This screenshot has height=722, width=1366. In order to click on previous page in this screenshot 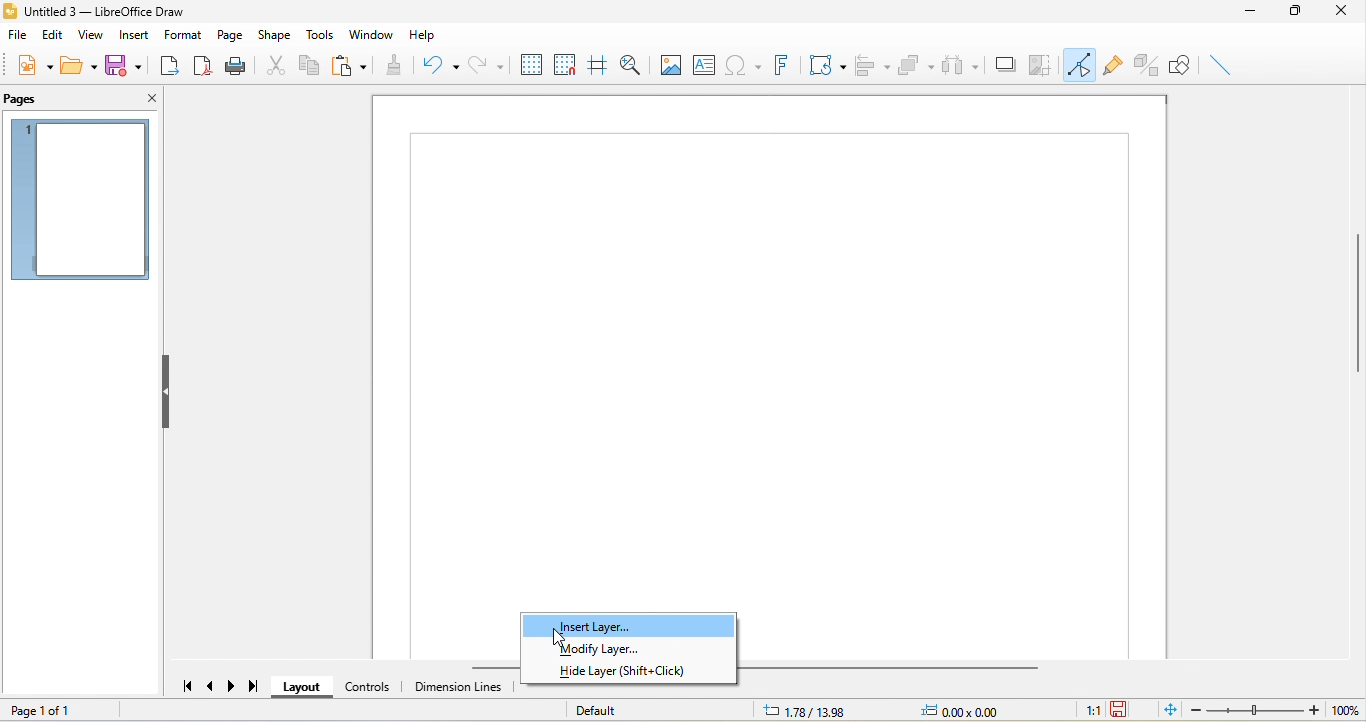, I will do `click(211, 688)`.